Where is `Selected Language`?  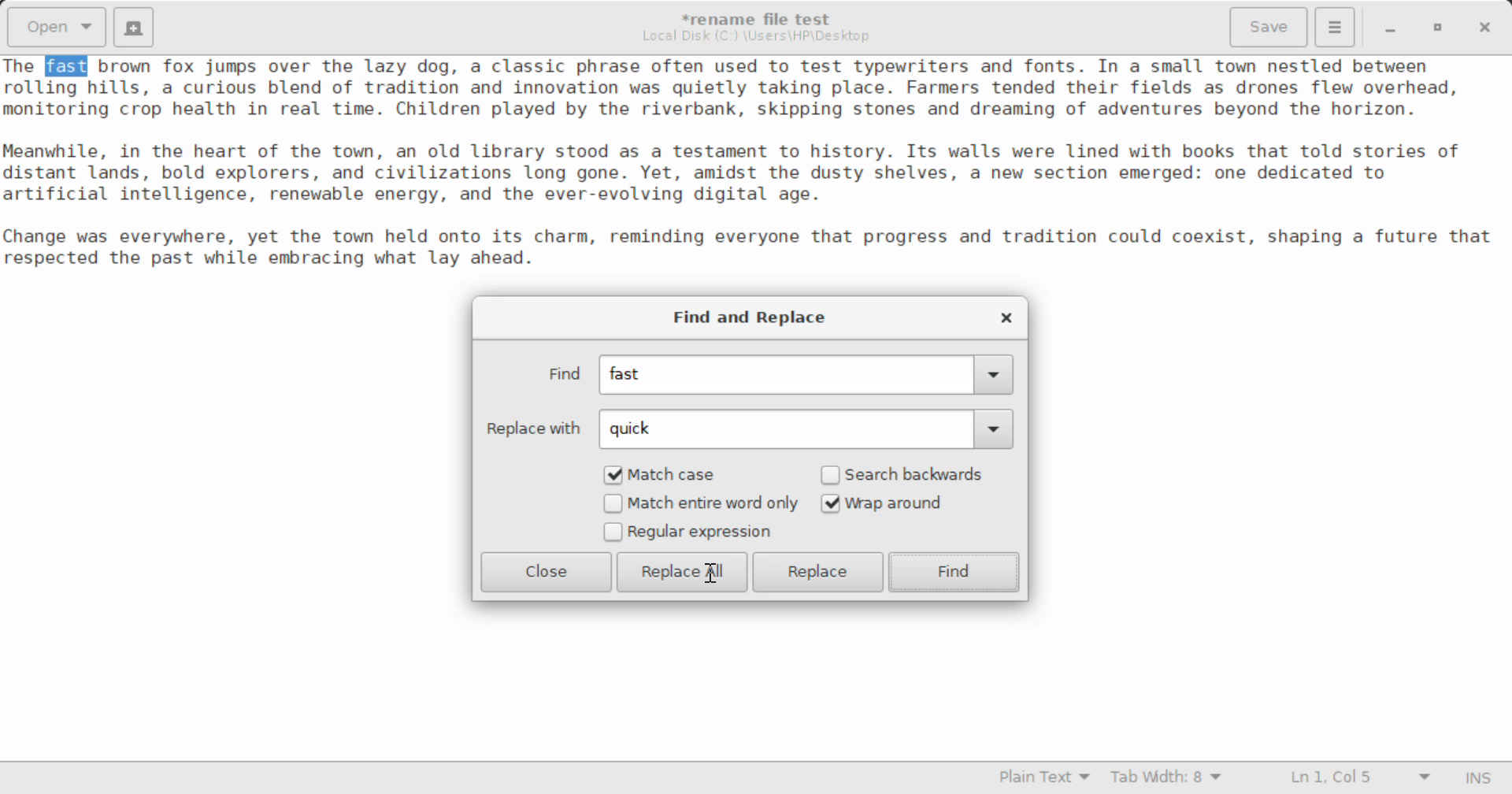
Selected Language is located at coordinates (1036, 779).